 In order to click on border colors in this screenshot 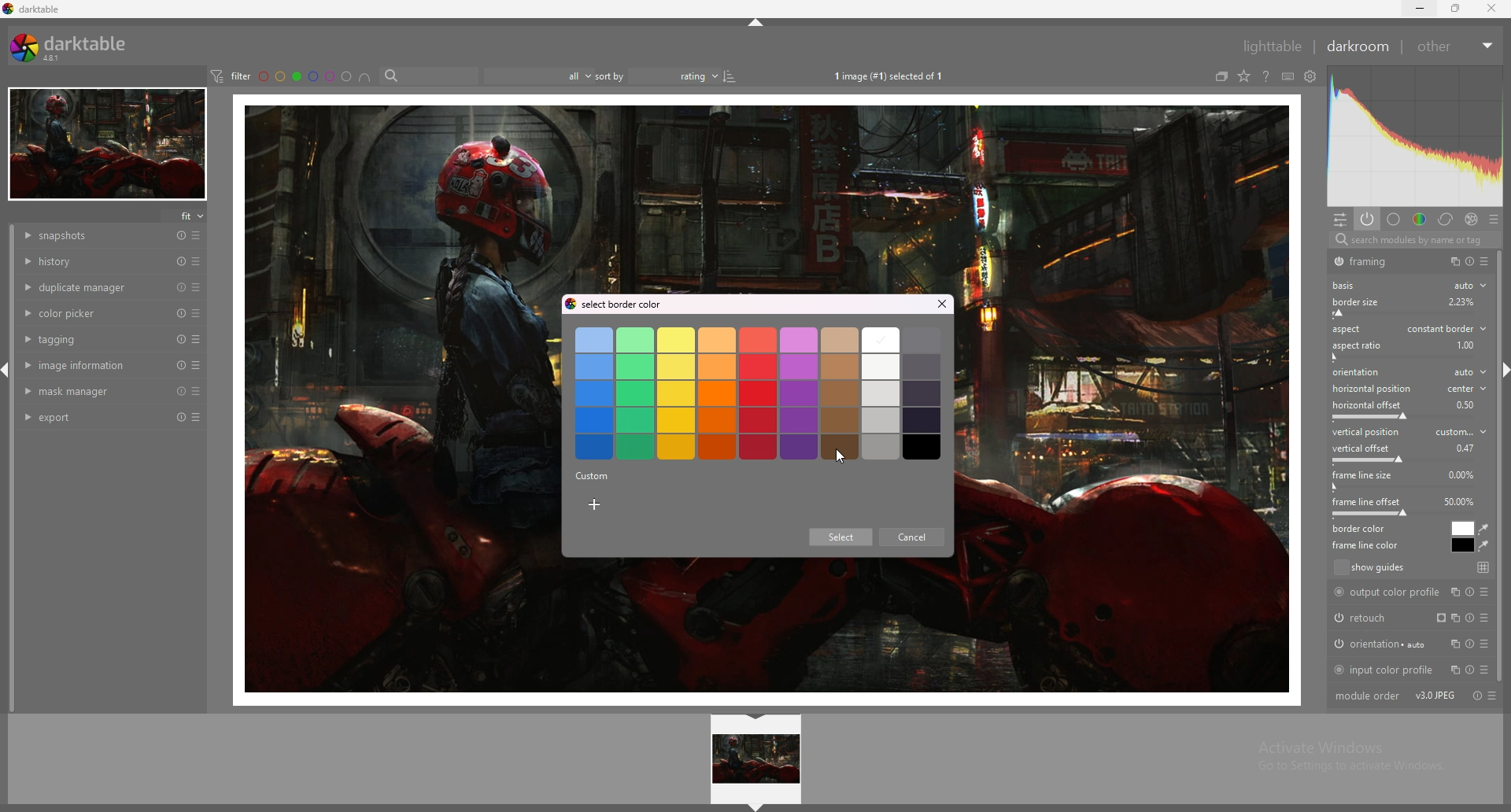, I will do `click(759, 393)`.